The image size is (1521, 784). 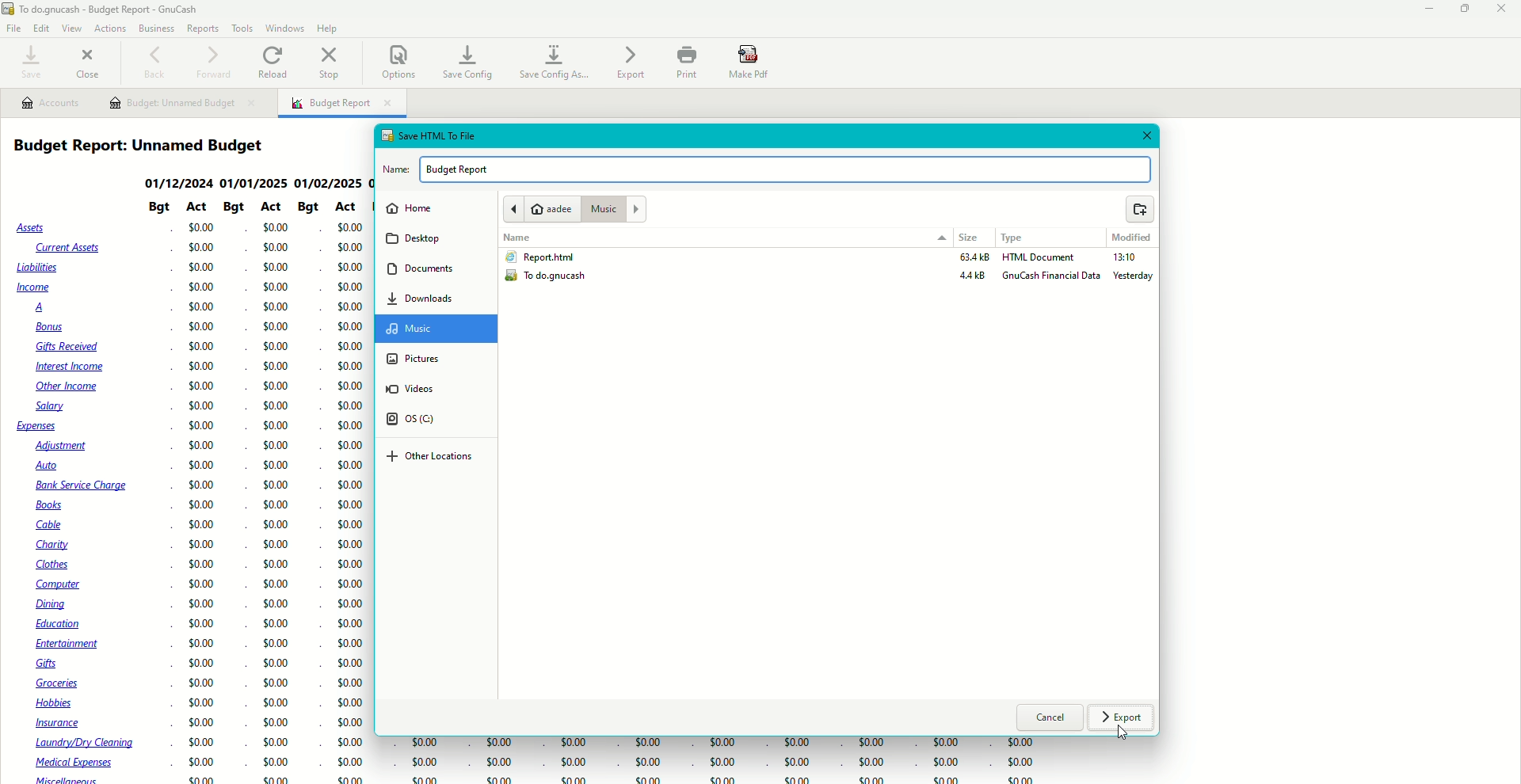 What do you see at coordinates (421, 298) in the screenshot?
I see `Downloads` at bounding box center [421, 298].